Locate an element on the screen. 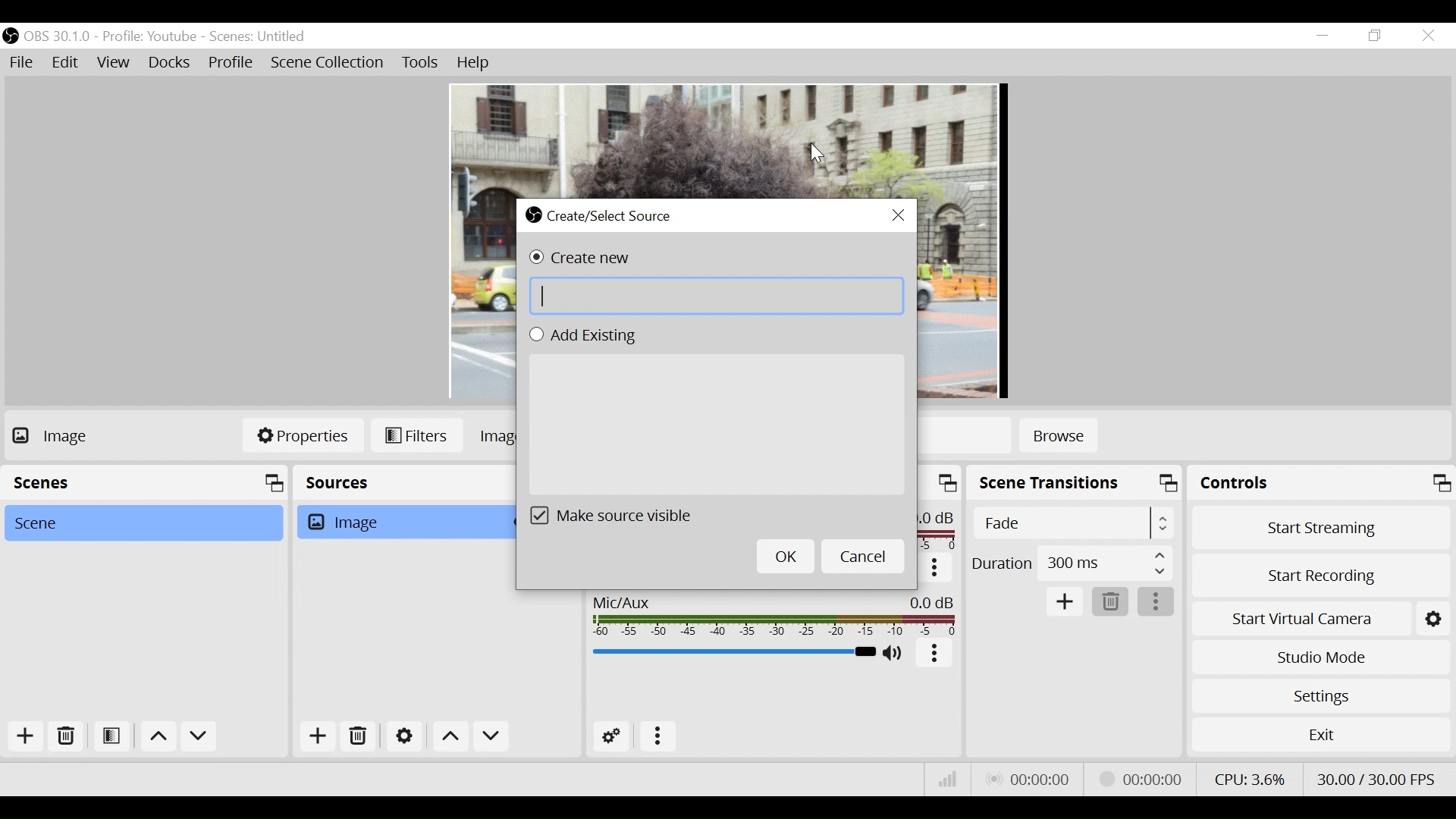 This screenshot has height=819, width=1456. Scenes is located at coordinates (146, 484).